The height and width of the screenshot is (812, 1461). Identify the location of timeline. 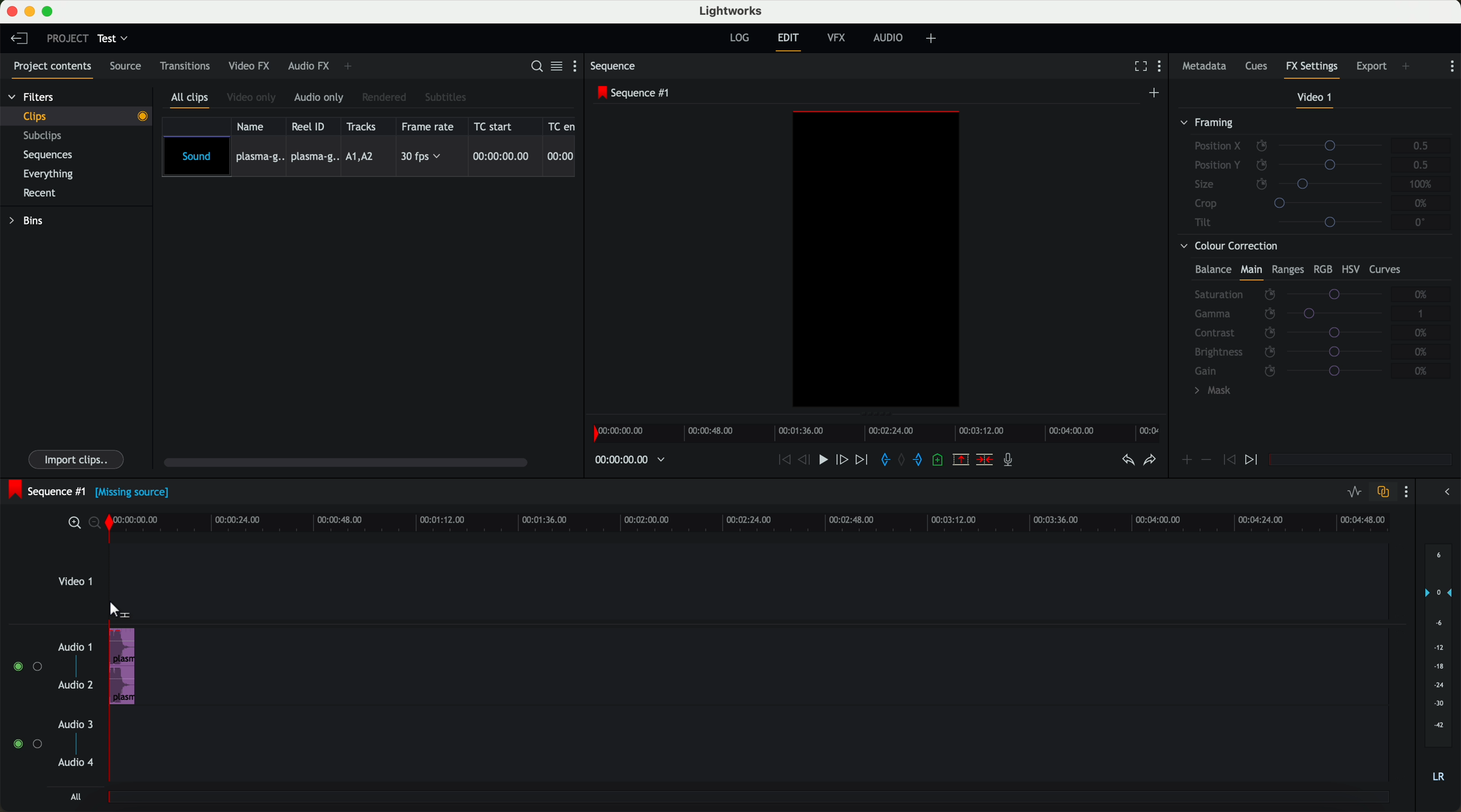
(758, 523).